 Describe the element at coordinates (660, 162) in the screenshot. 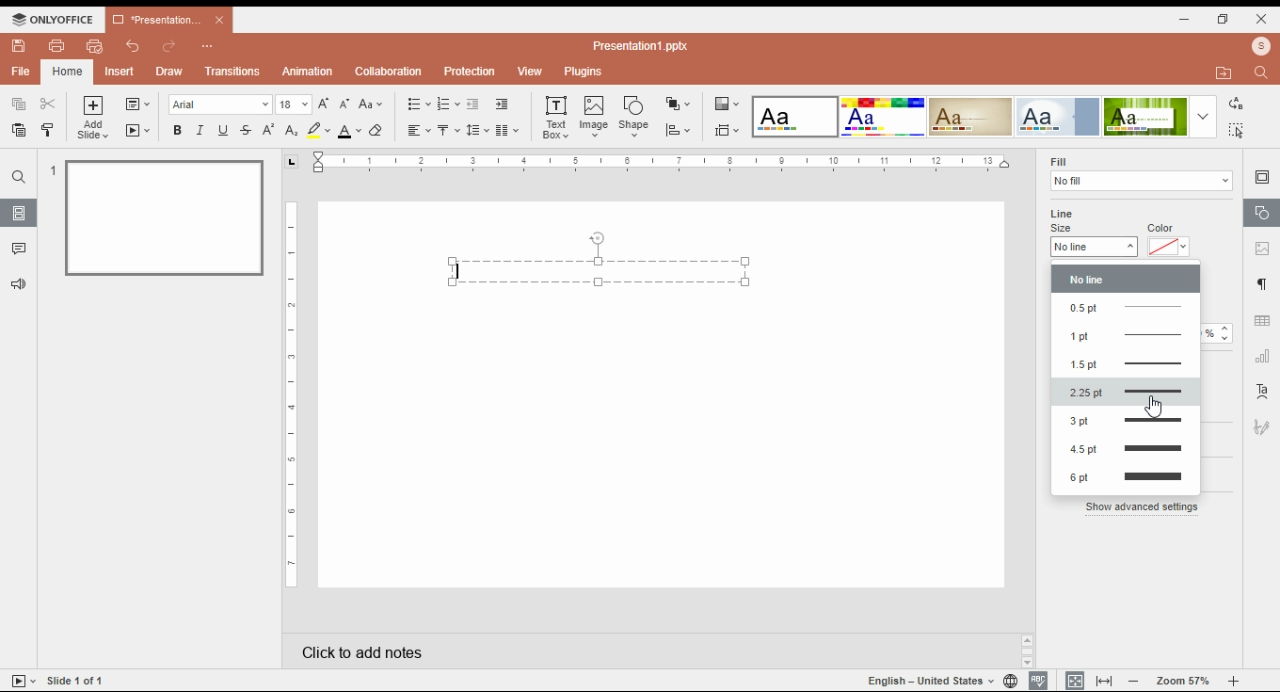

I see `Ruler` at that location.